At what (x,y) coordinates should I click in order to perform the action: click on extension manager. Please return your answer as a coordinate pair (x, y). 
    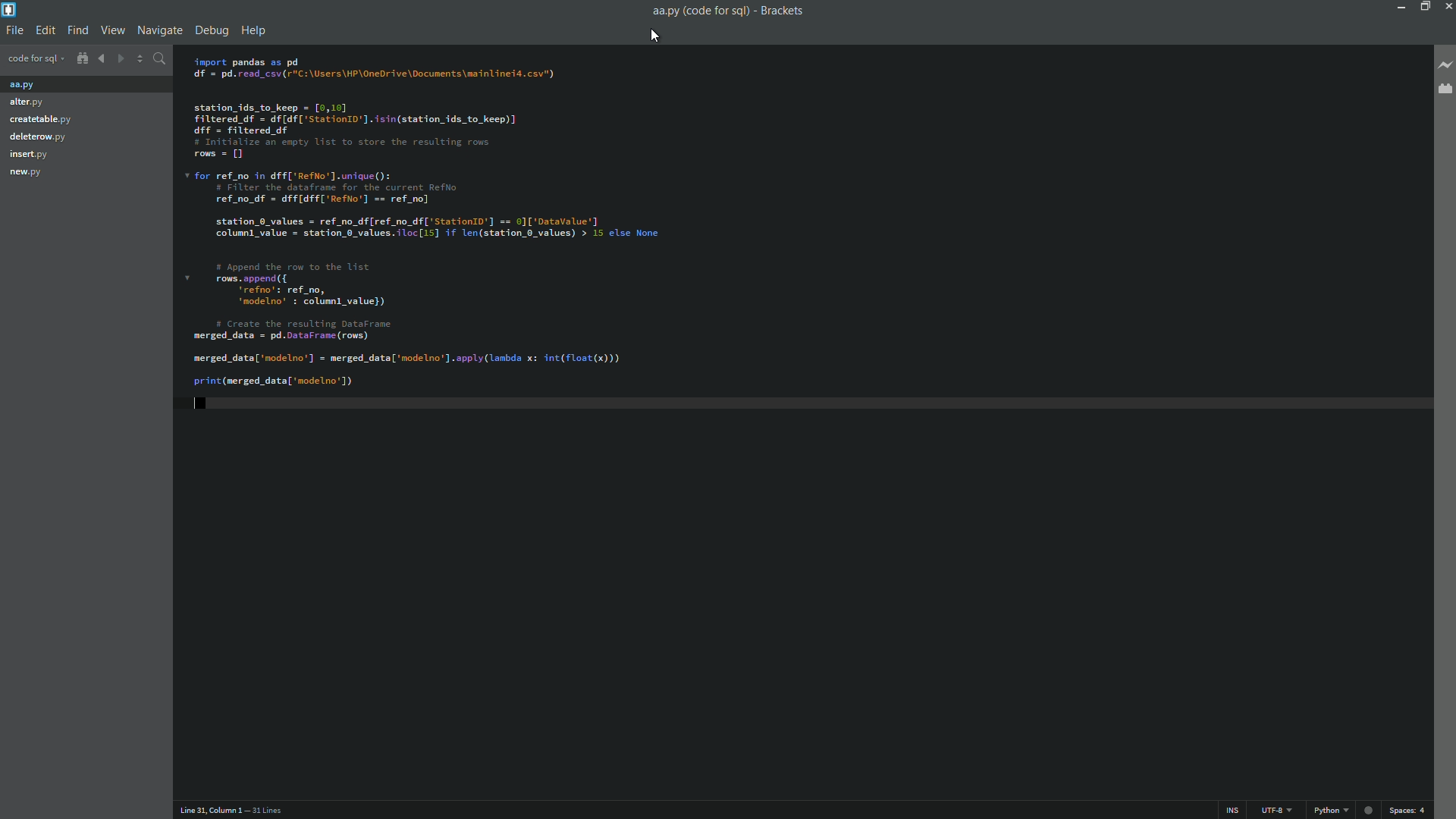
    Looking at the image, I should click on (1444, 89).